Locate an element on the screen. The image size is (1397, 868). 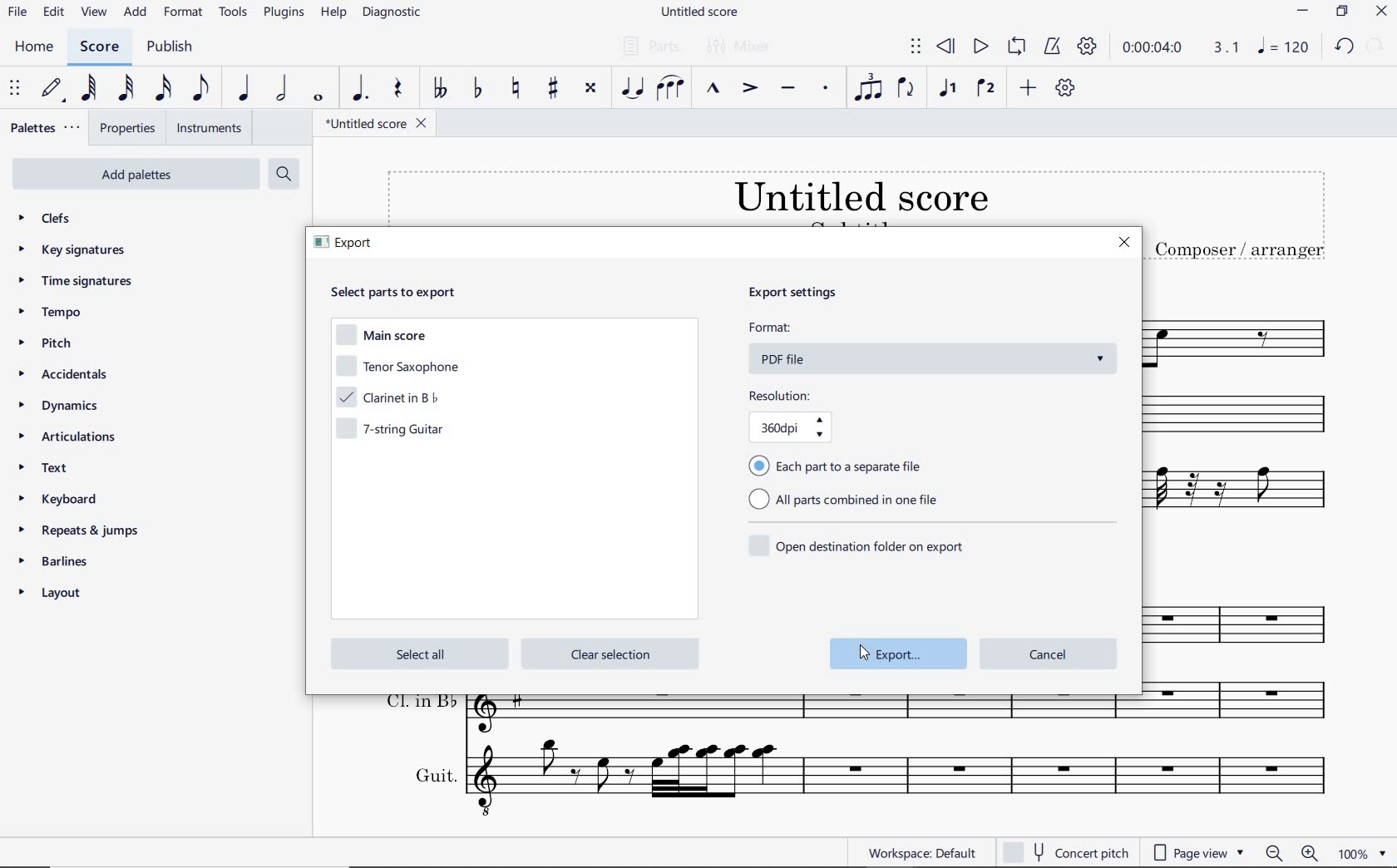
add palettes is located at coordinates (133, 174).